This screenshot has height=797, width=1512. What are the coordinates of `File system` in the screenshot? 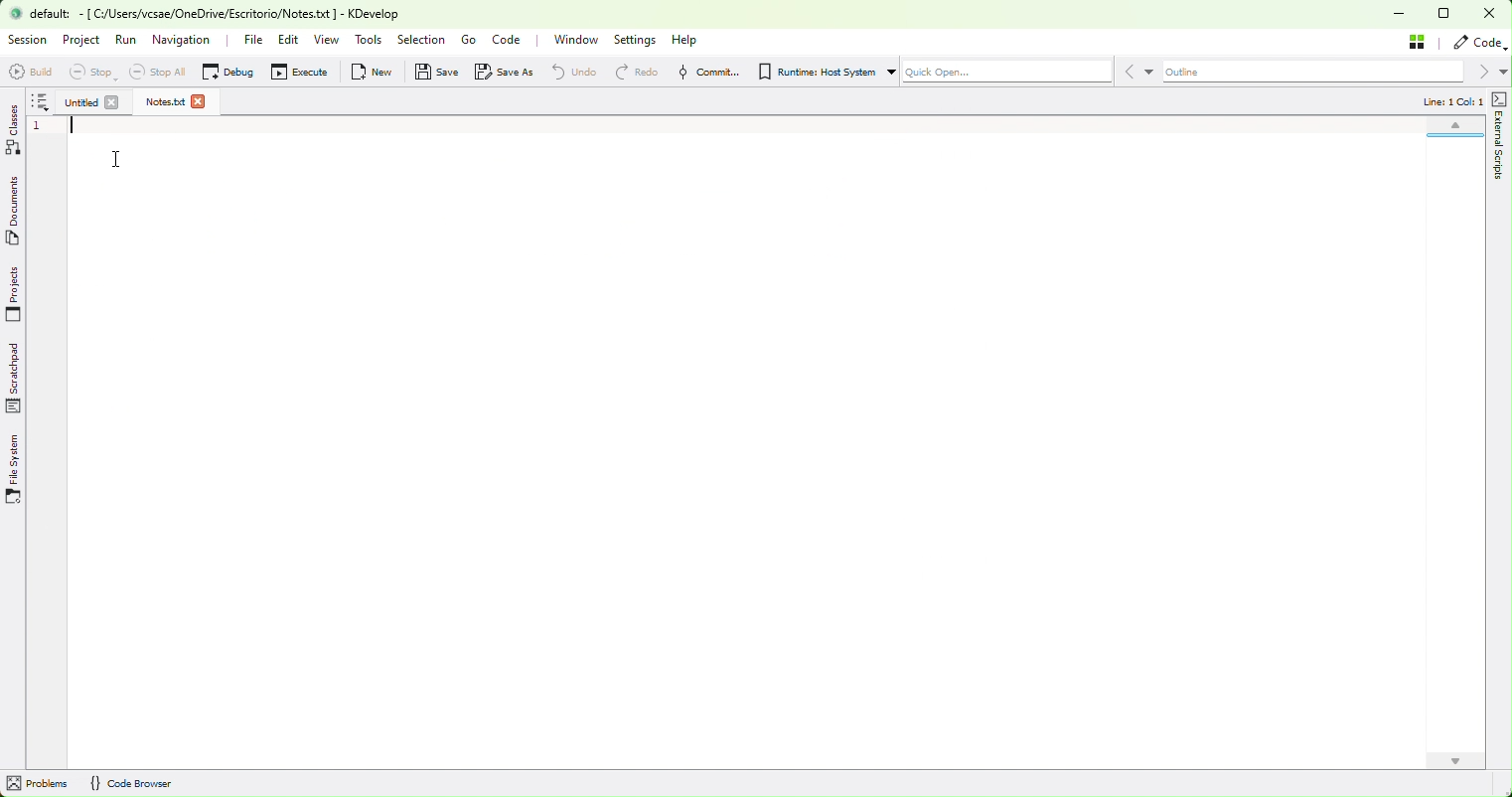 It's located at (17, 467).